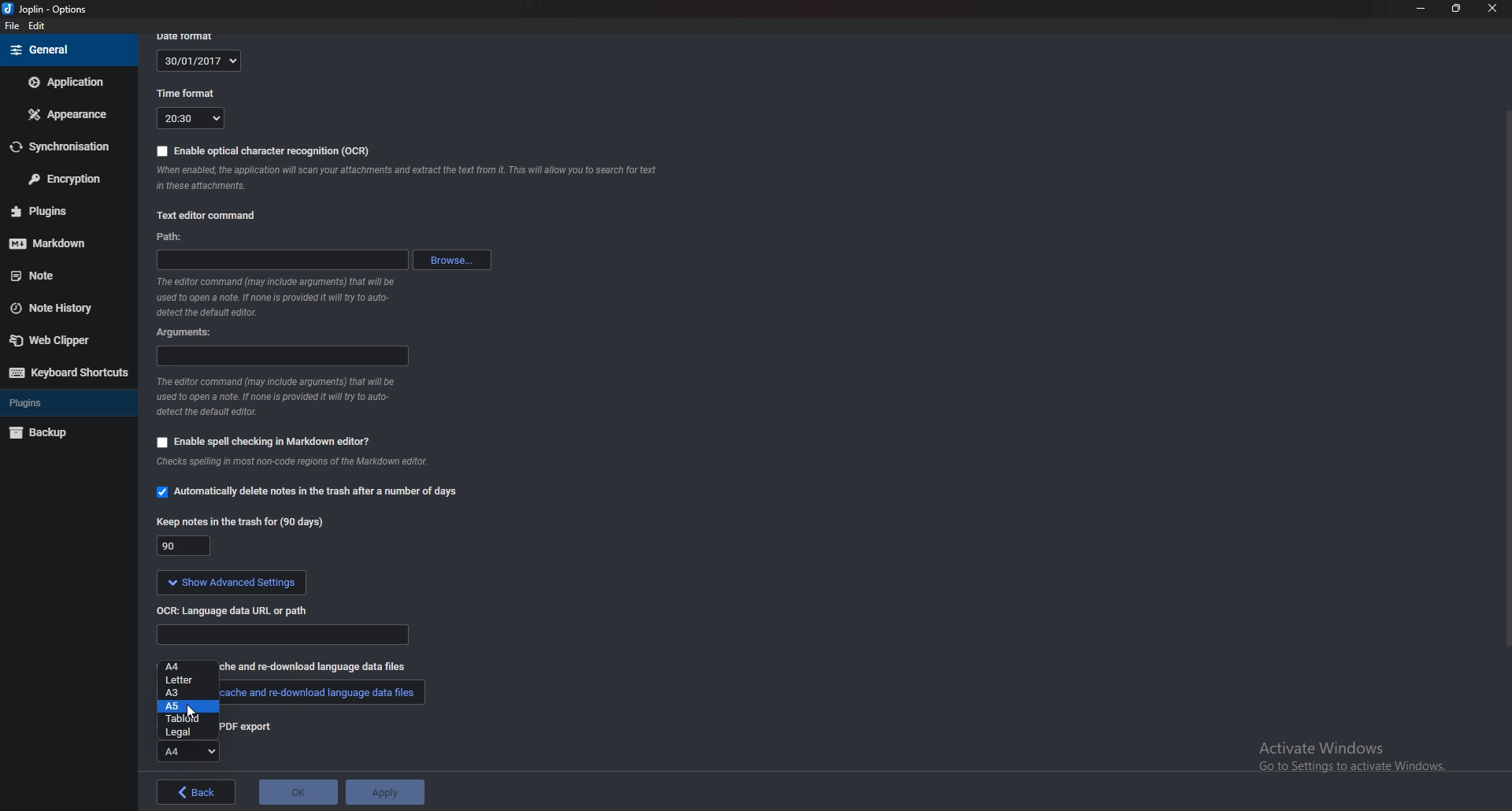 The width and height of the screenshot is (1512, 811). Describe the element at coordinates (287, 394) in the screenshot. I see `Info on editor command` at that location.